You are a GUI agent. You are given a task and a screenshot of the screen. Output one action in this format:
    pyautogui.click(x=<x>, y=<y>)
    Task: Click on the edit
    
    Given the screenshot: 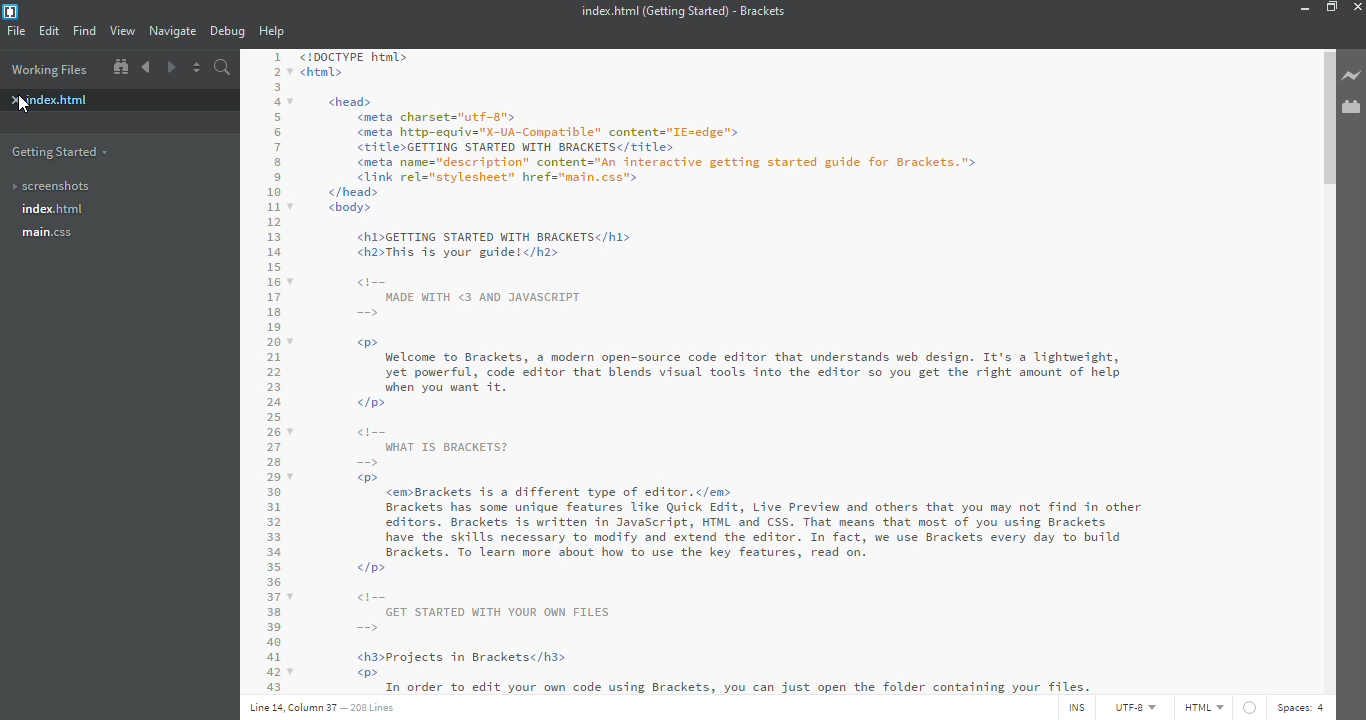 What is the action you would take?
    pyautogui.click(x=50, y=30)
    